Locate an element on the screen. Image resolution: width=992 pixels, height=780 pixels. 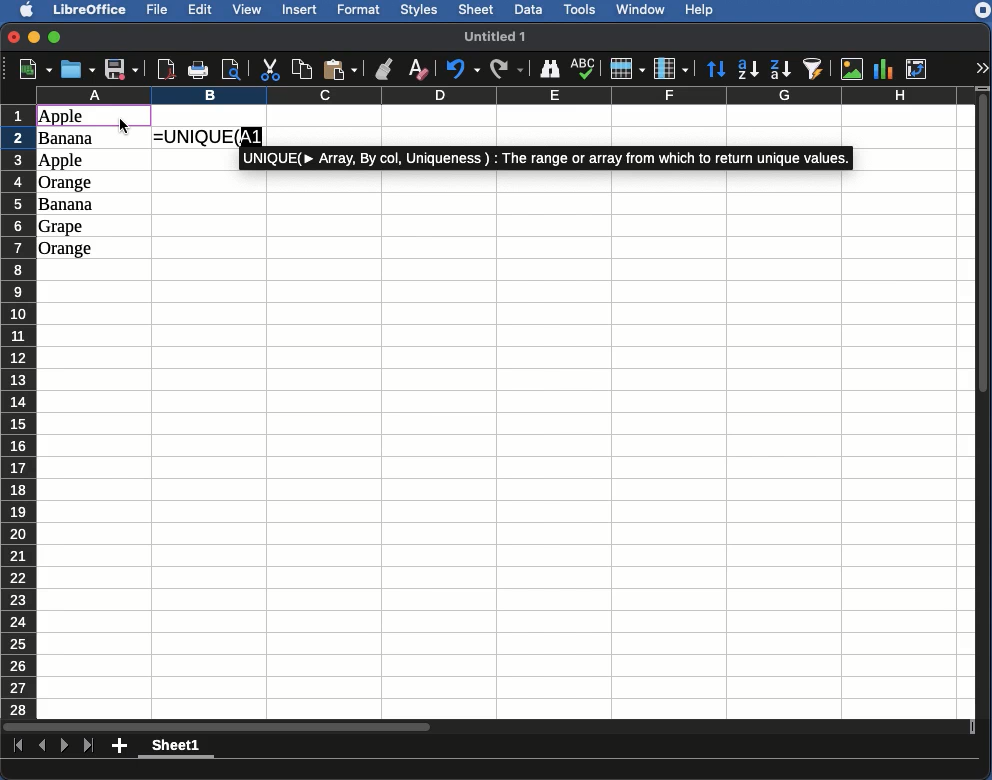
UNIQUE(Array, By col, Uniqueness) : the range or array from which to return unique values. is located at coordinates (546, 158).